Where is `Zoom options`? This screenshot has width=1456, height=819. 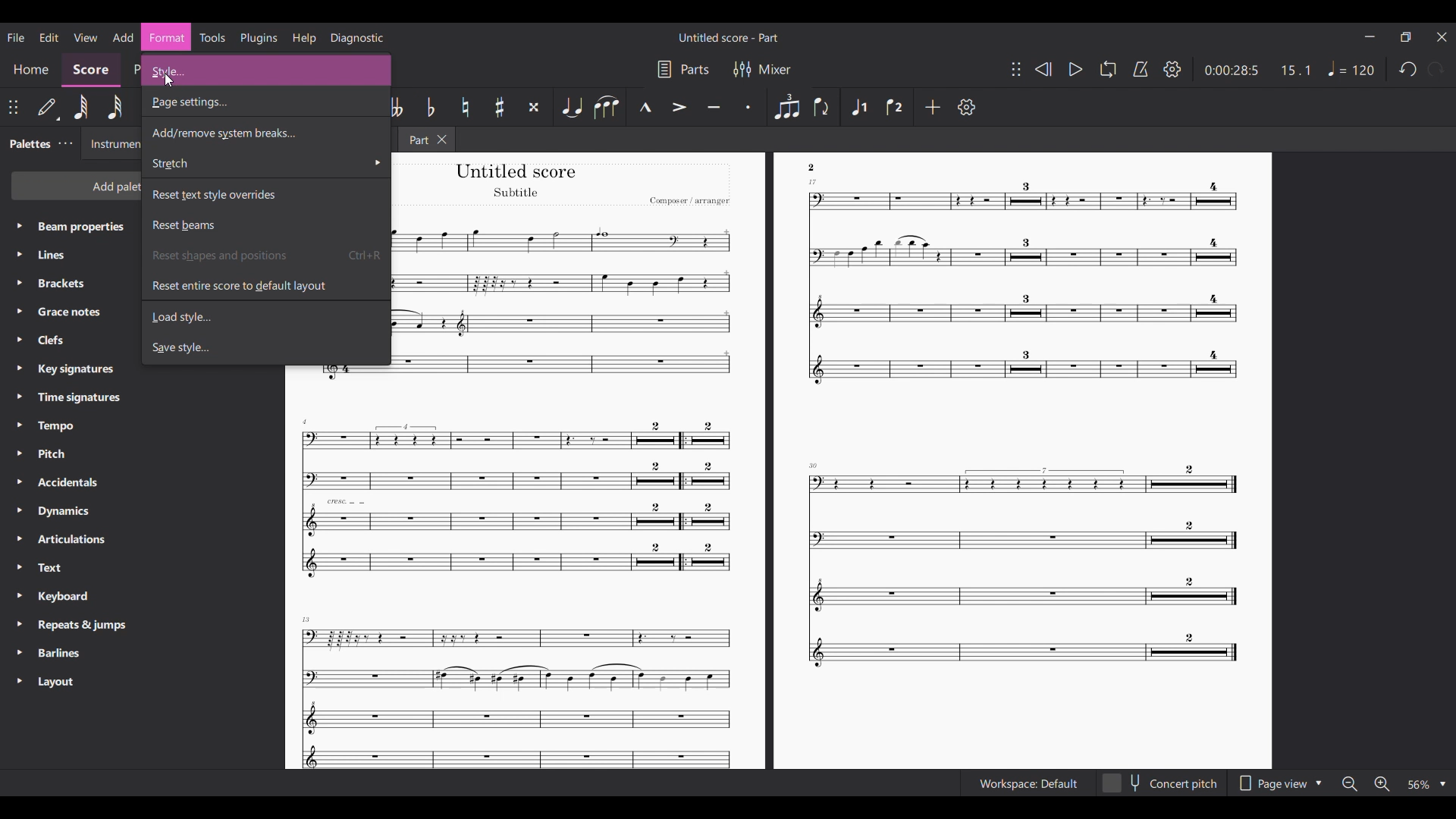 Zoom options is located at coordinates (1427, 784).